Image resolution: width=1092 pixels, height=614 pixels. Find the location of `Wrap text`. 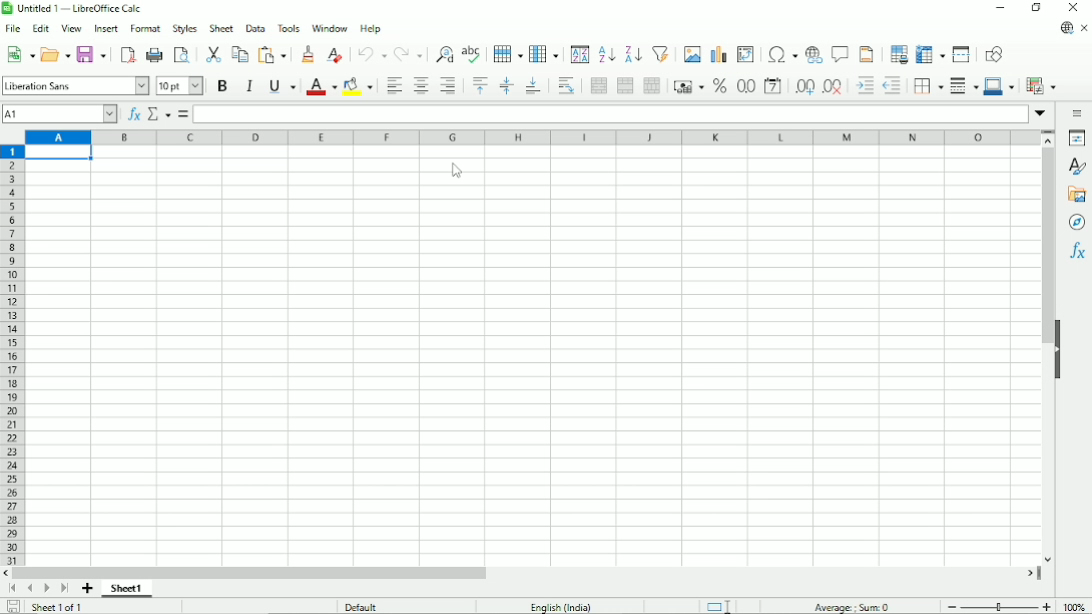

Wrap text is located at coordinates (565, 86).